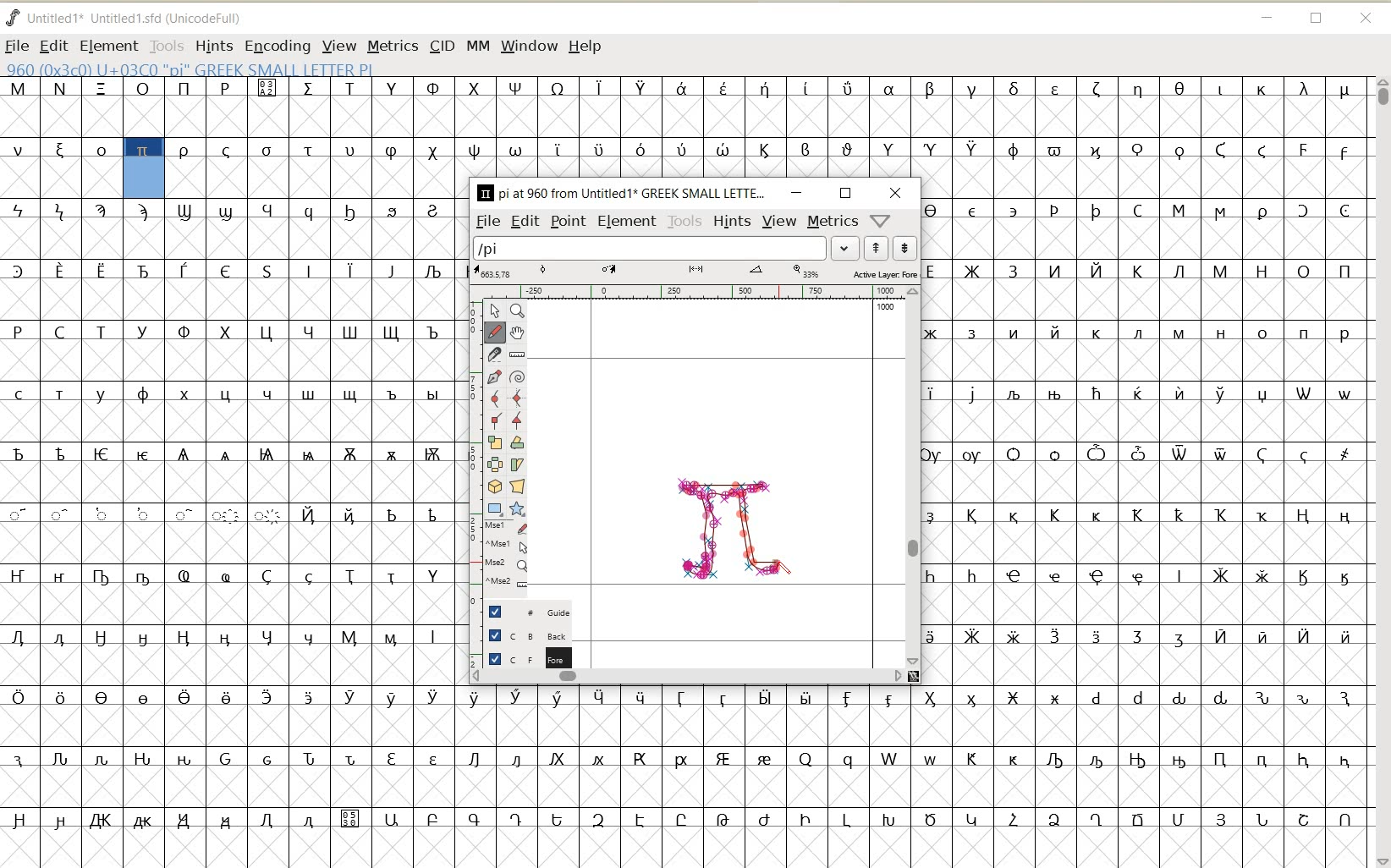 Image resolution: width=1391 pixels, height=868 pixels. I want to click on flip the selection, so click(492, 464).